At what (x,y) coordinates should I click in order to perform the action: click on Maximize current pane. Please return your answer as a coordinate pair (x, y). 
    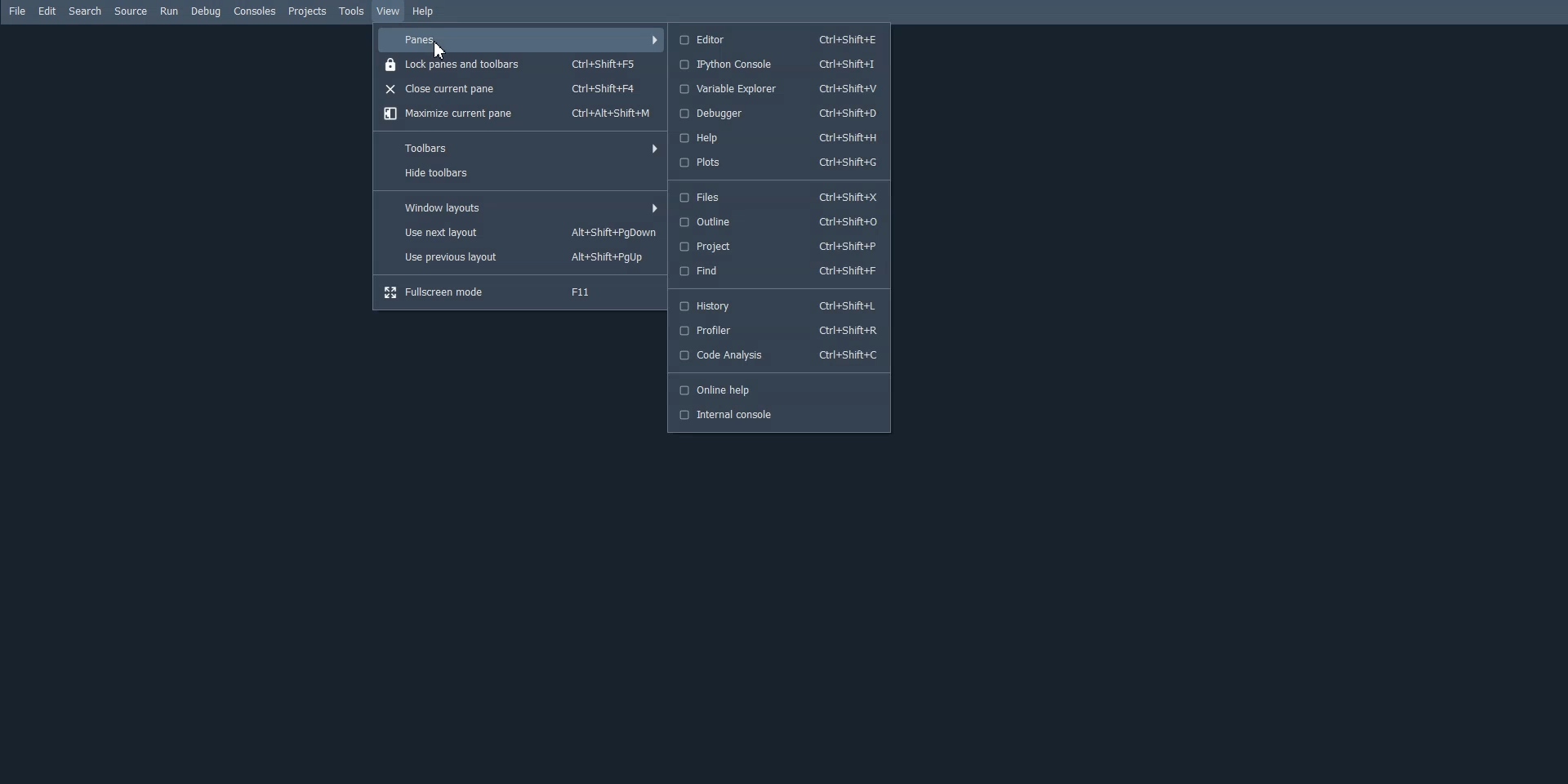
    Looking at the image, I should click on (521, 114).